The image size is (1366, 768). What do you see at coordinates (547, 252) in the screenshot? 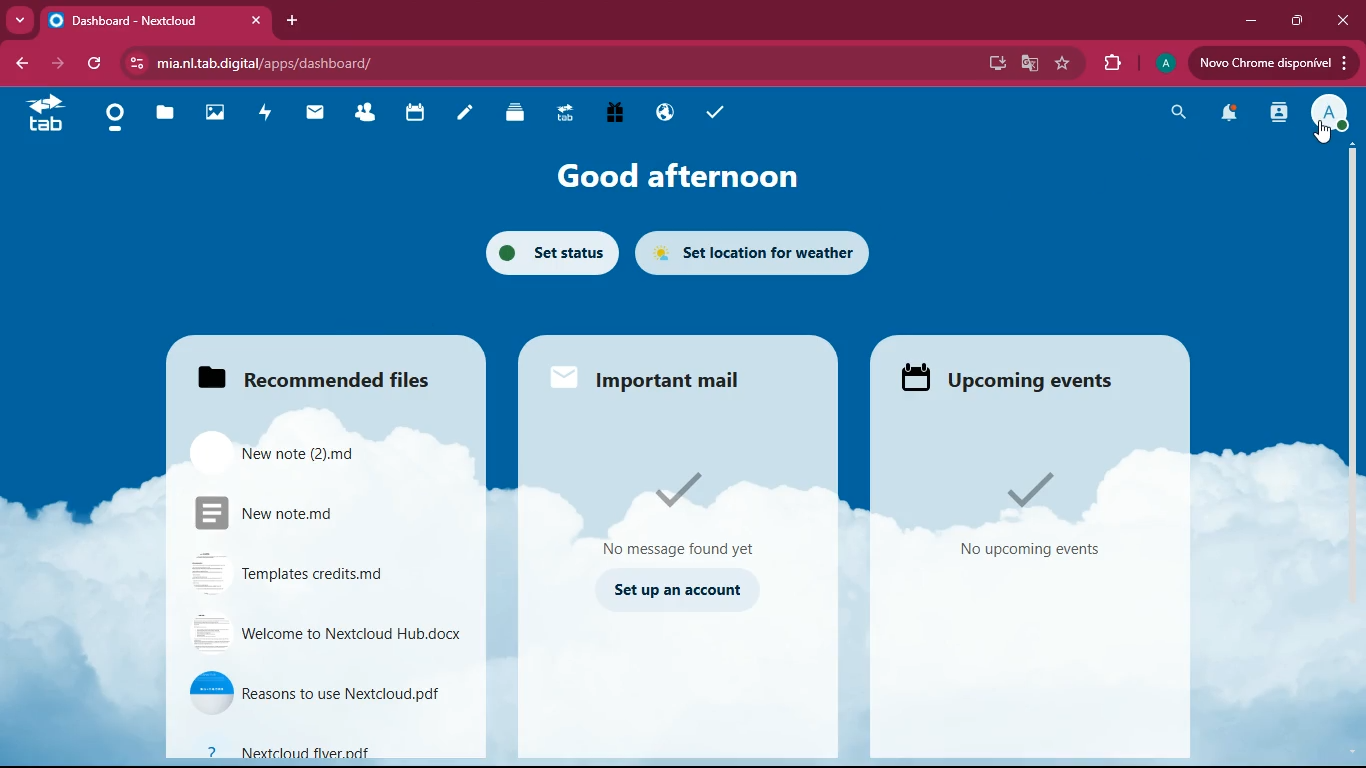
I see `set status` at bounding box center [547, 252].